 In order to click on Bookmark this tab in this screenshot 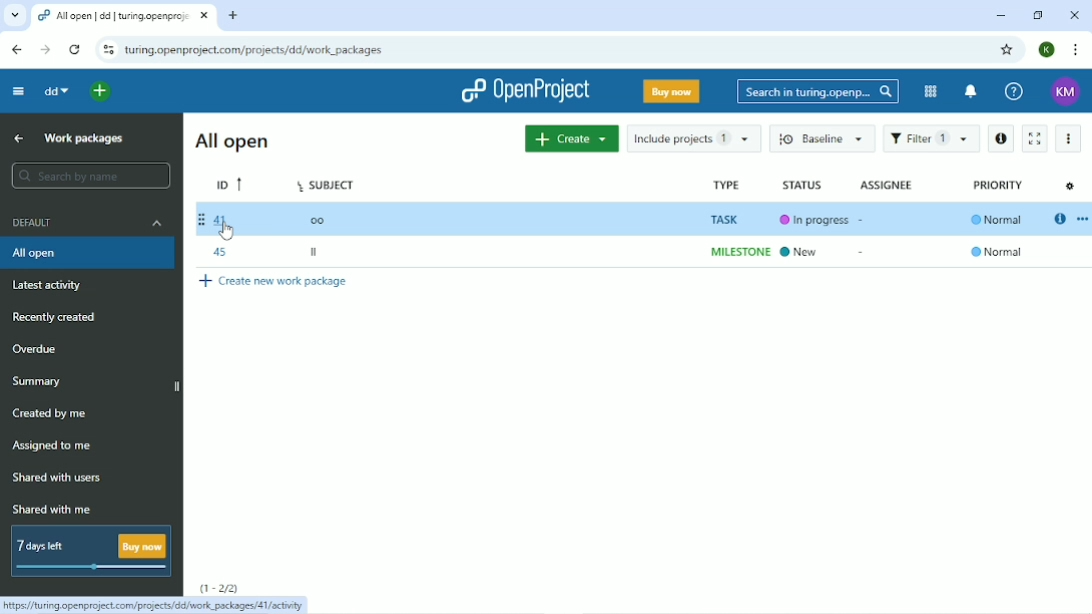, I will do `click(1006, 50)`.